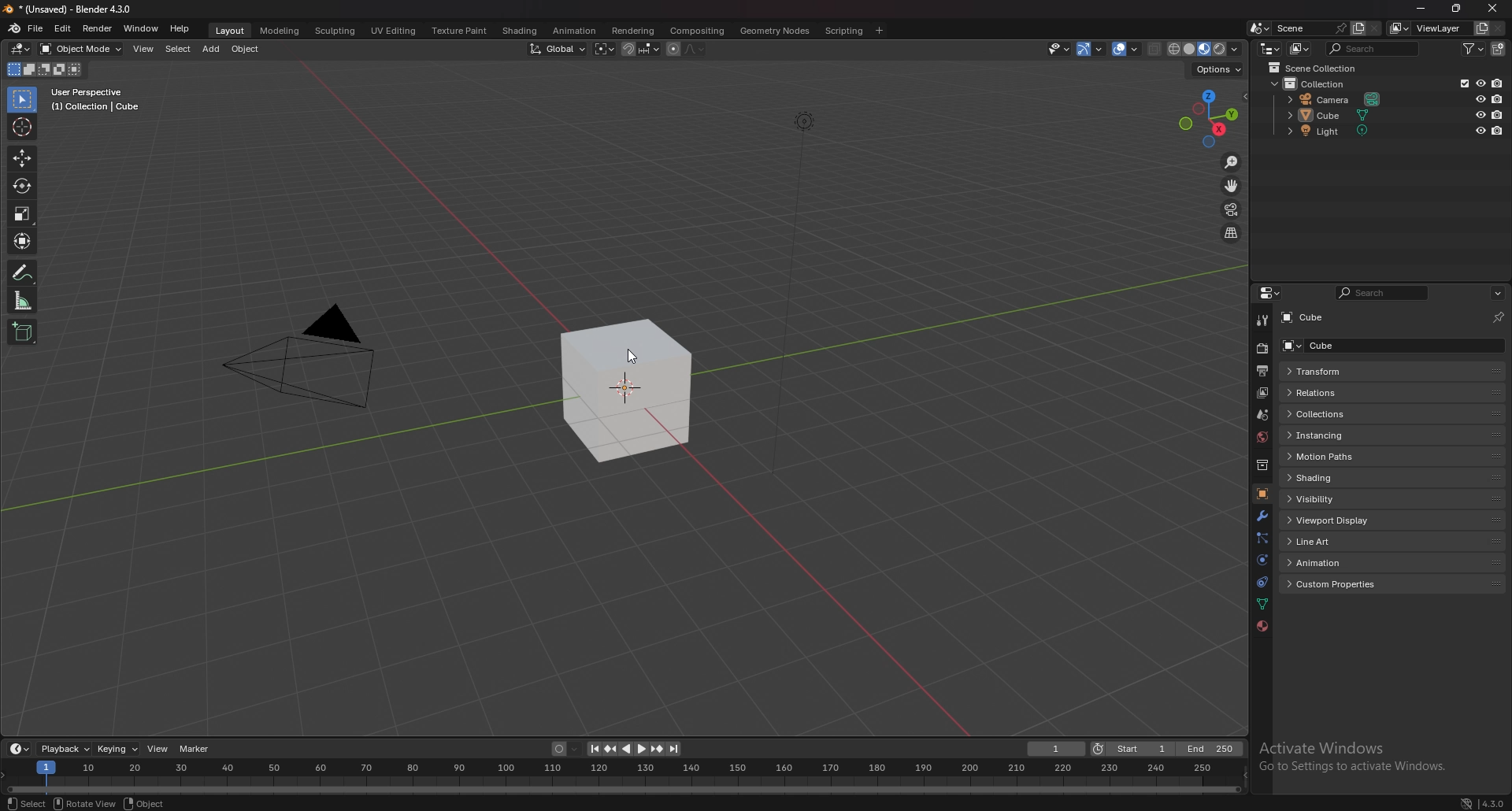 Image resolution: width=1512 pixels, height=811 pixels. I want to click on hide in viewport, so click(1480, 114).